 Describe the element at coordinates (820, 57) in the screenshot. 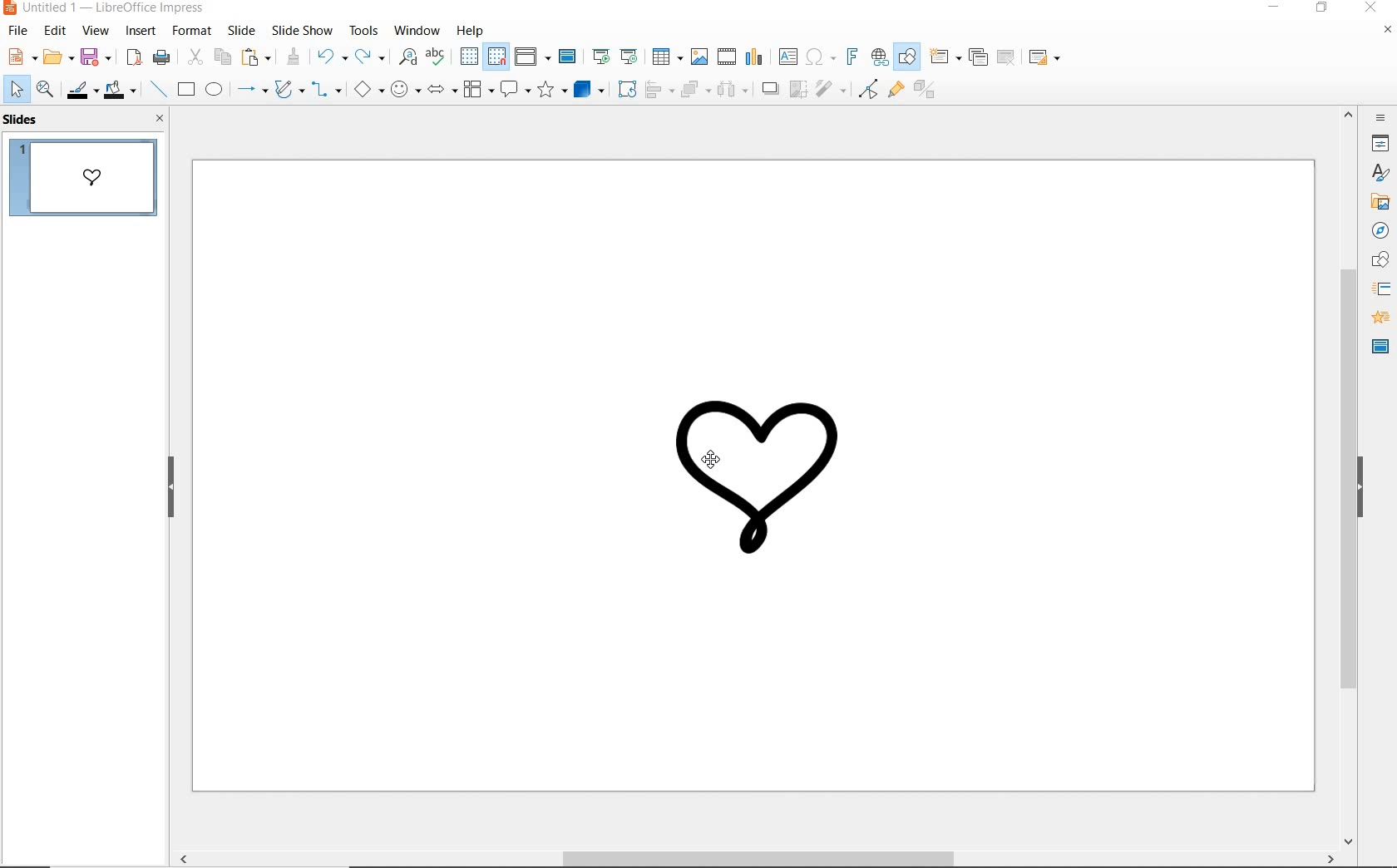

I see `insert special character` at that location.